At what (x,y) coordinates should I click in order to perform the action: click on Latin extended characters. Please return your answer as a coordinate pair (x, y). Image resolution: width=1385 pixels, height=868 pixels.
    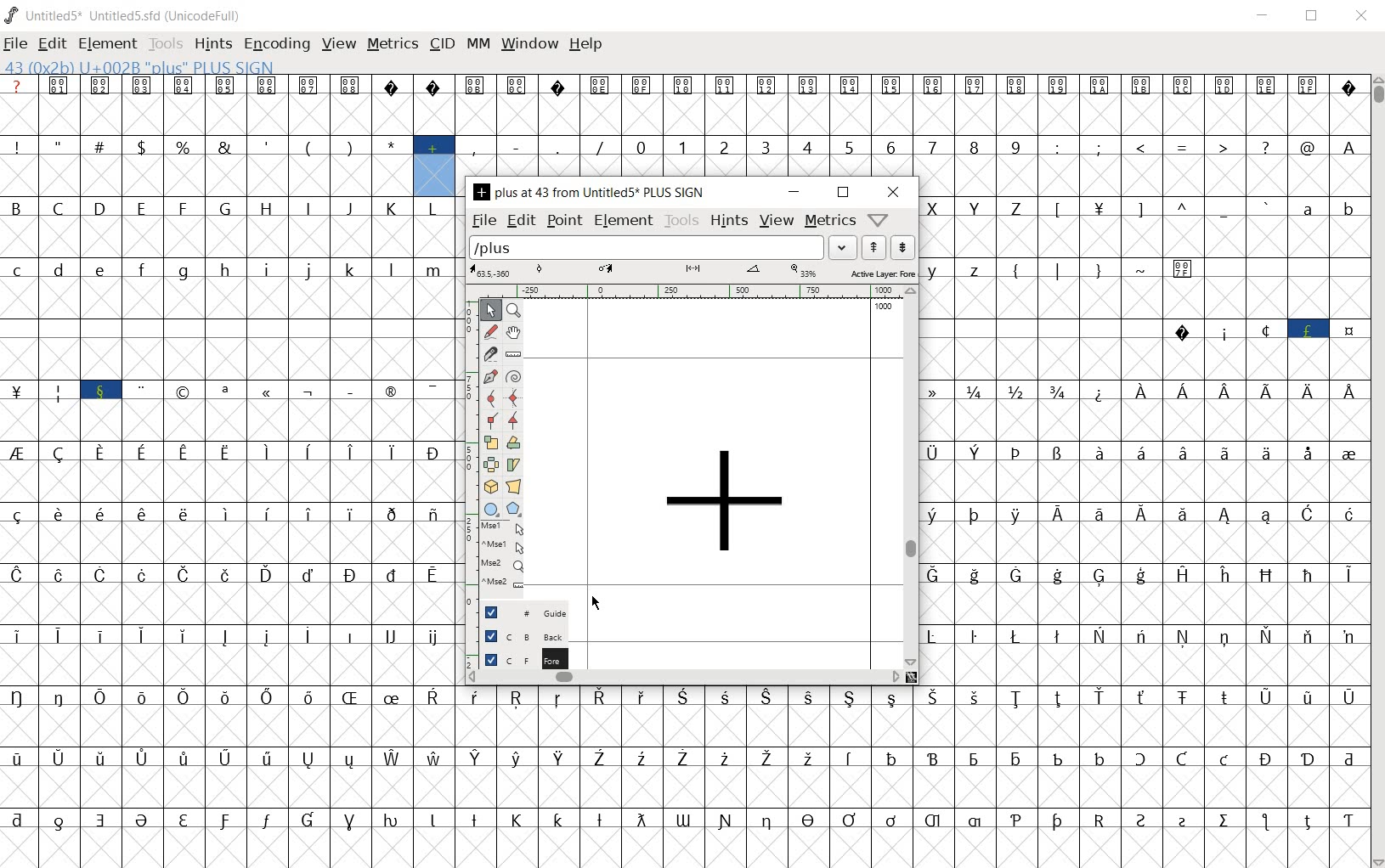
    Looking at the image, I should click on (185, 657).